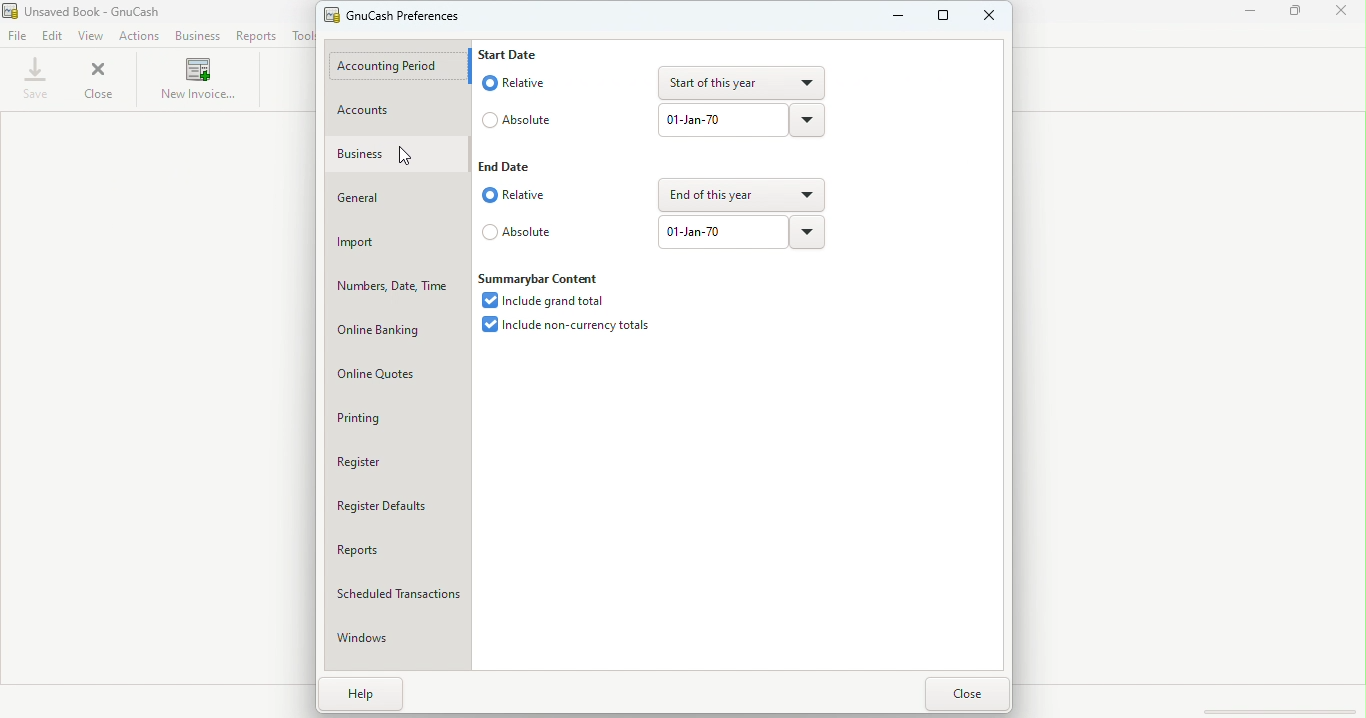 The image size is (1366, 718). I want to click on Relative, so click(512, 196).